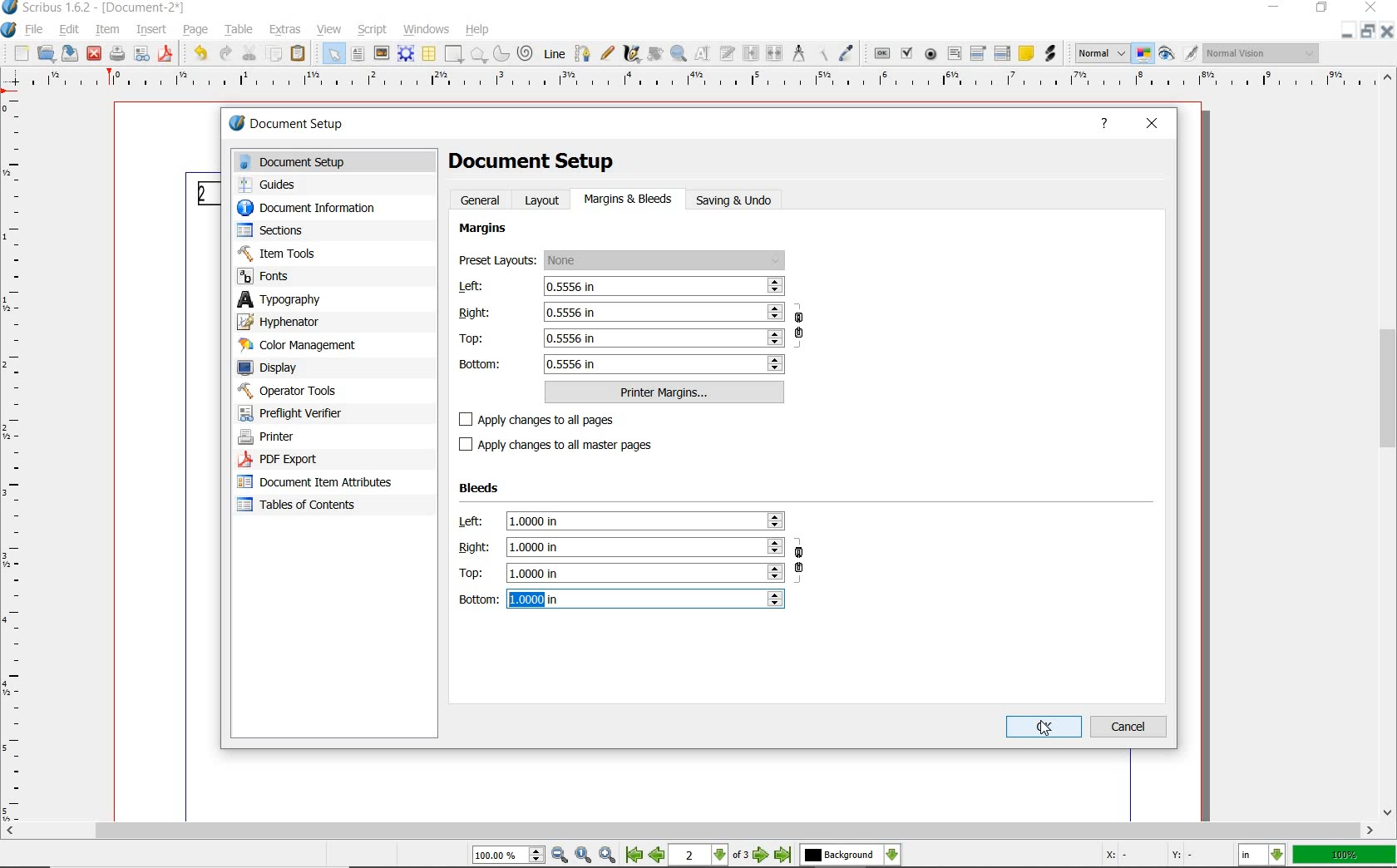 This screenshot has width=1397, height=868. Describe the element at coordinates (608, 54) in the screenshot. I see `freehand line` at that location.